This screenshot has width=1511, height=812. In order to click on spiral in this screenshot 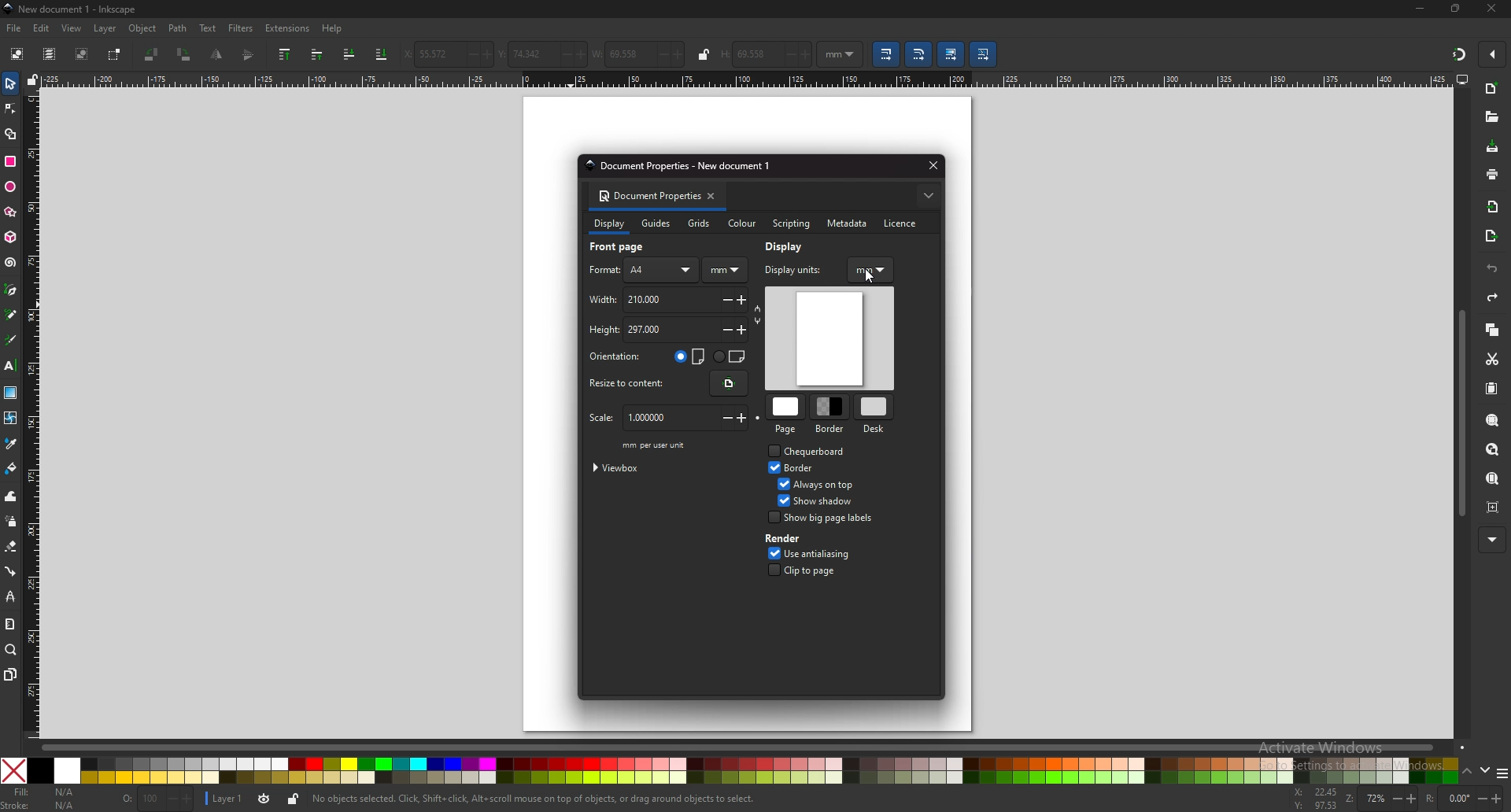, I will do `click(11, 263)`.